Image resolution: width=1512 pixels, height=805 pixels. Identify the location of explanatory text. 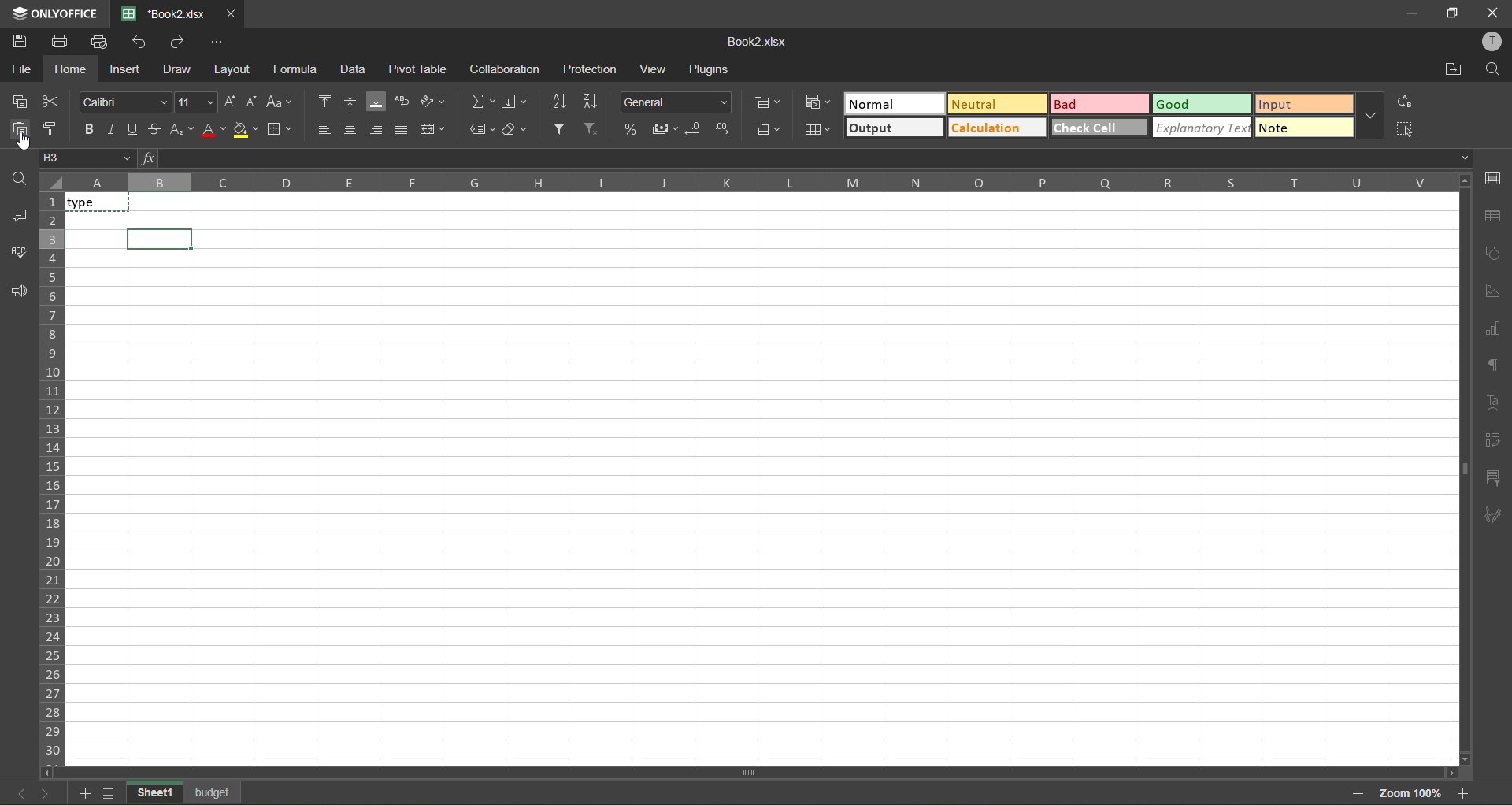
(1202, 128).